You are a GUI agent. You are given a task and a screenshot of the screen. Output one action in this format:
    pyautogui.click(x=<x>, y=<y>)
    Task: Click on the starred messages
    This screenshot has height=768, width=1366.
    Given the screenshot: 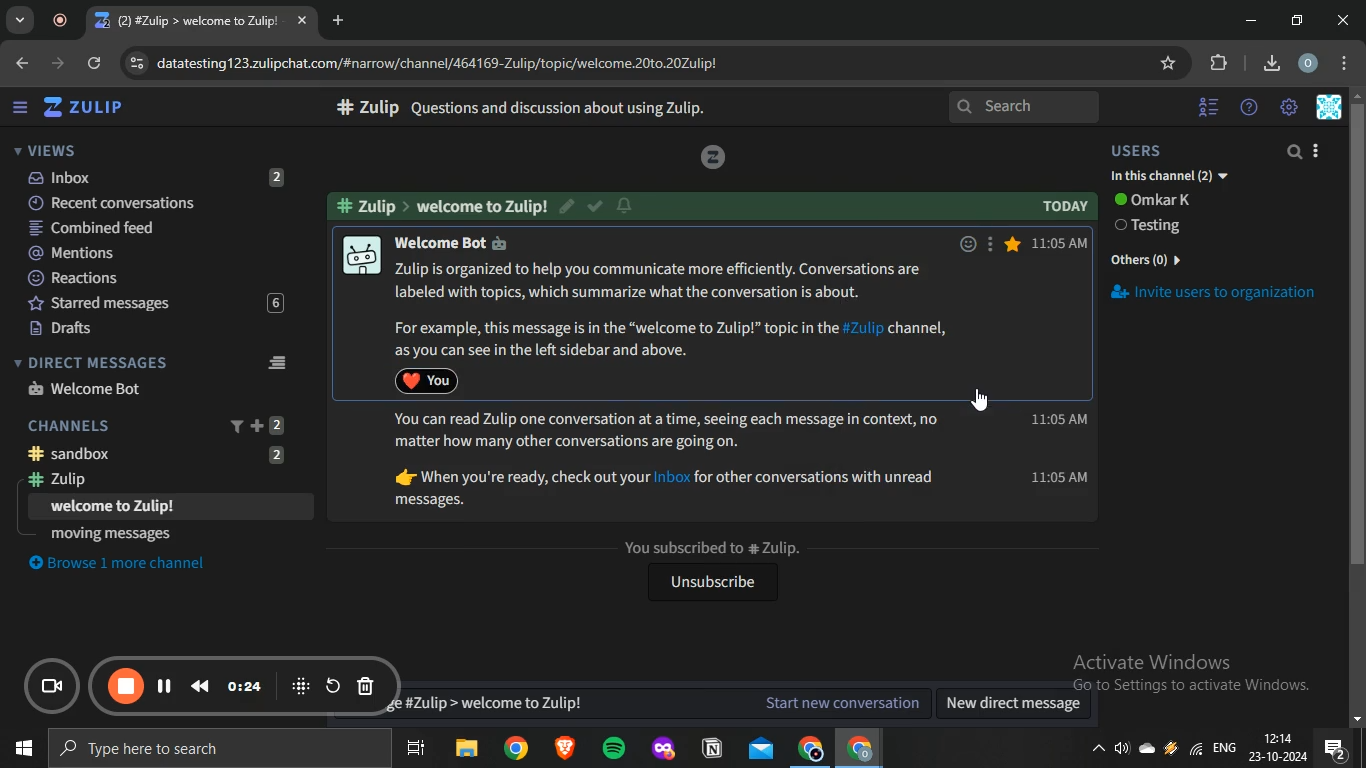 What is the action you would take?
    pyautogui.click(x=1013, y=244)
    